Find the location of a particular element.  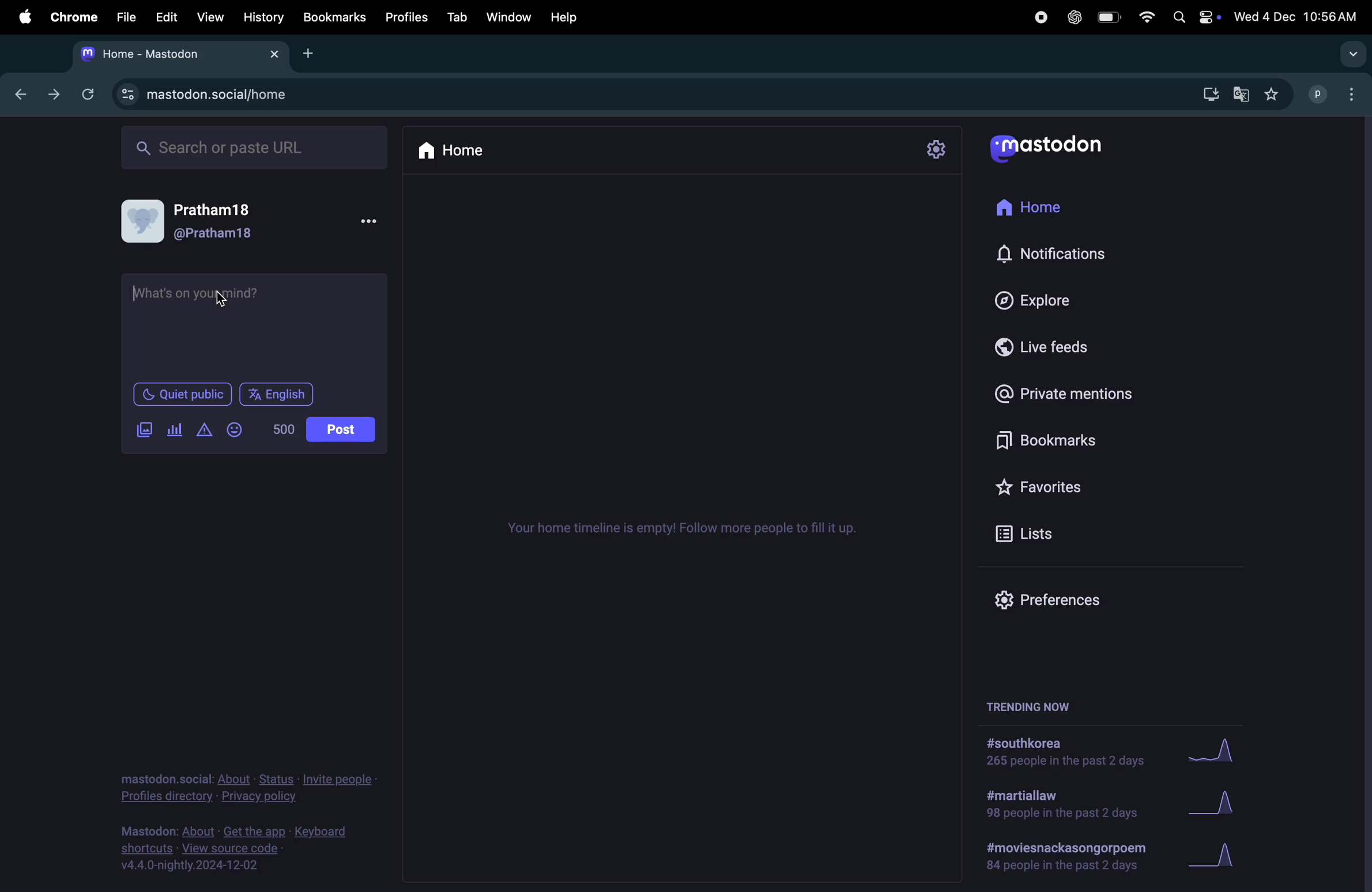

trending now is located at coordinates (1032, 705).